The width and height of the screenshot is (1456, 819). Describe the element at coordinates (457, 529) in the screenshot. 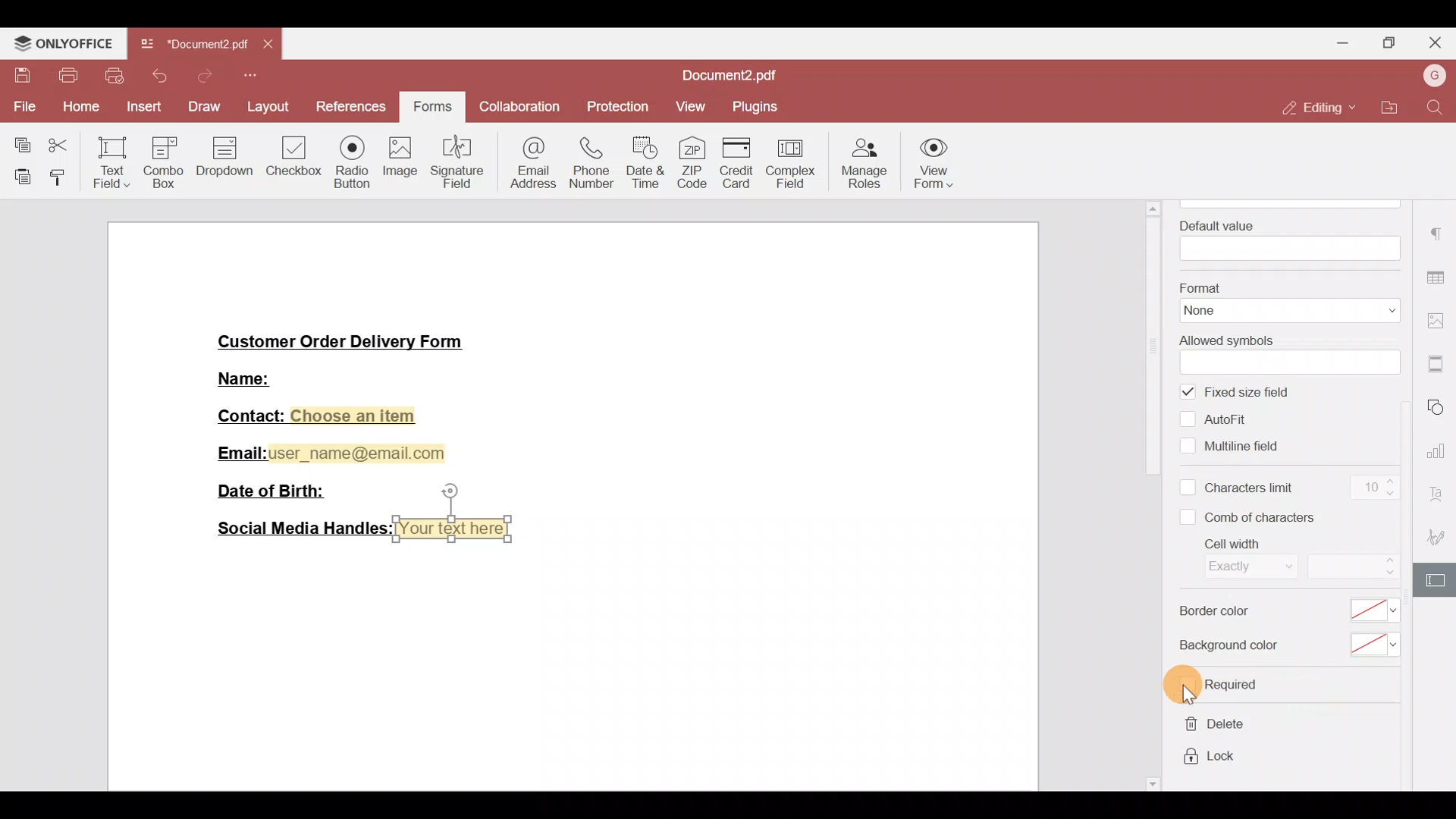

I see `Your text here` at that location.